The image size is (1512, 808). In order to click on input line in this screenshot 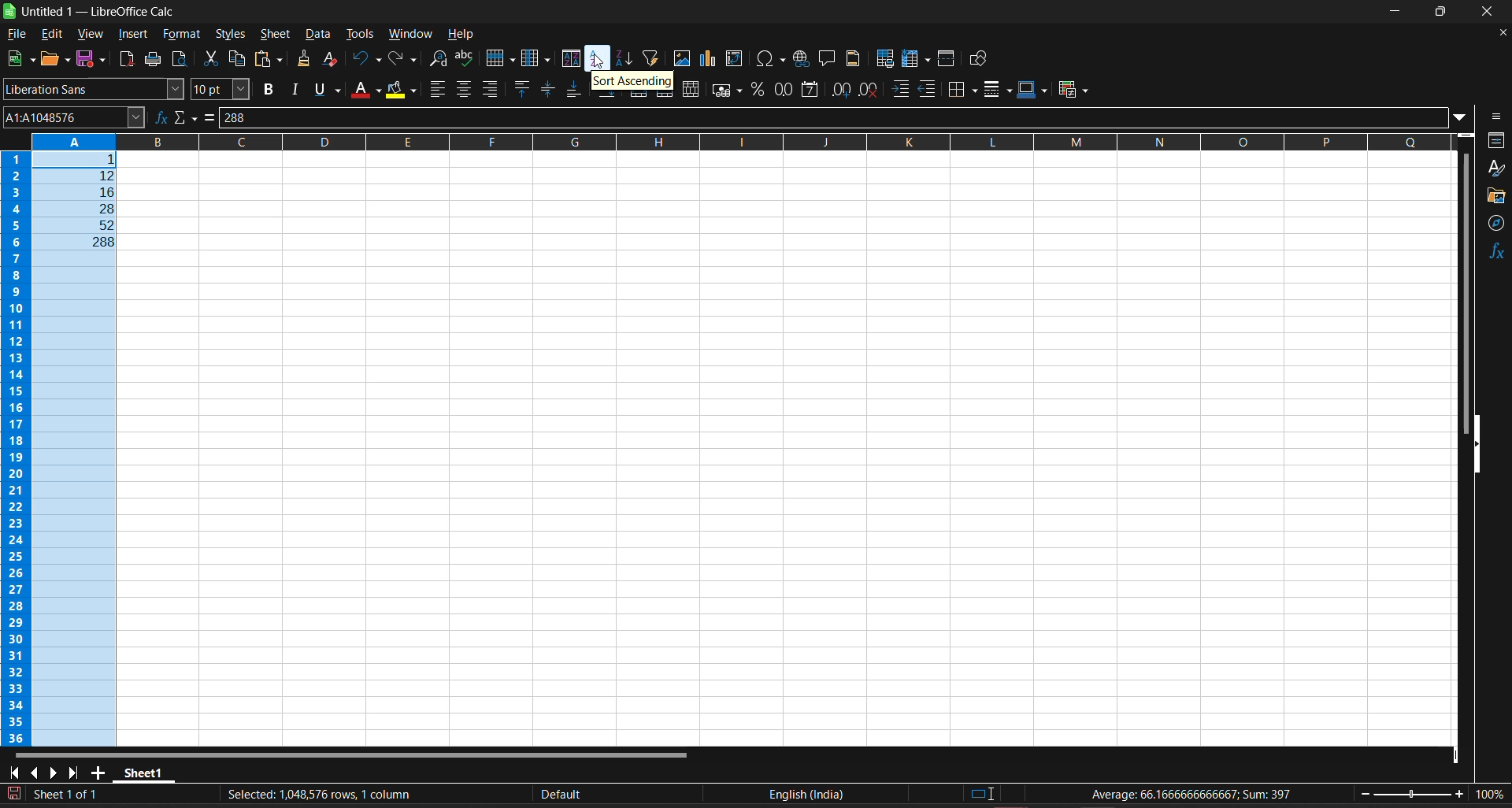, I will do `click(841, 118)`.